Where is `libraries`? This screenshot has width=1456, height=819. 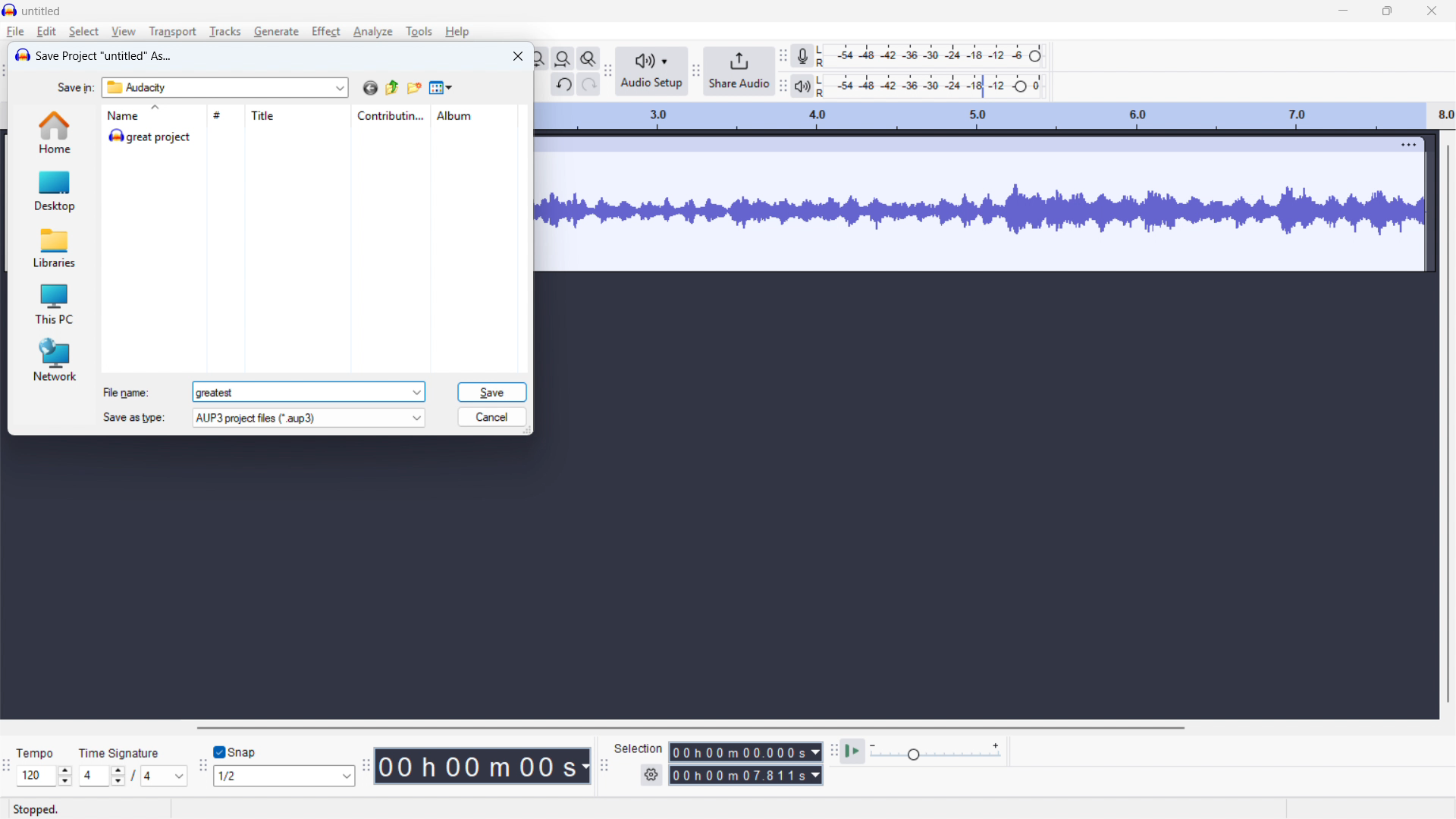 libraries is located at coordinates (55, 249).